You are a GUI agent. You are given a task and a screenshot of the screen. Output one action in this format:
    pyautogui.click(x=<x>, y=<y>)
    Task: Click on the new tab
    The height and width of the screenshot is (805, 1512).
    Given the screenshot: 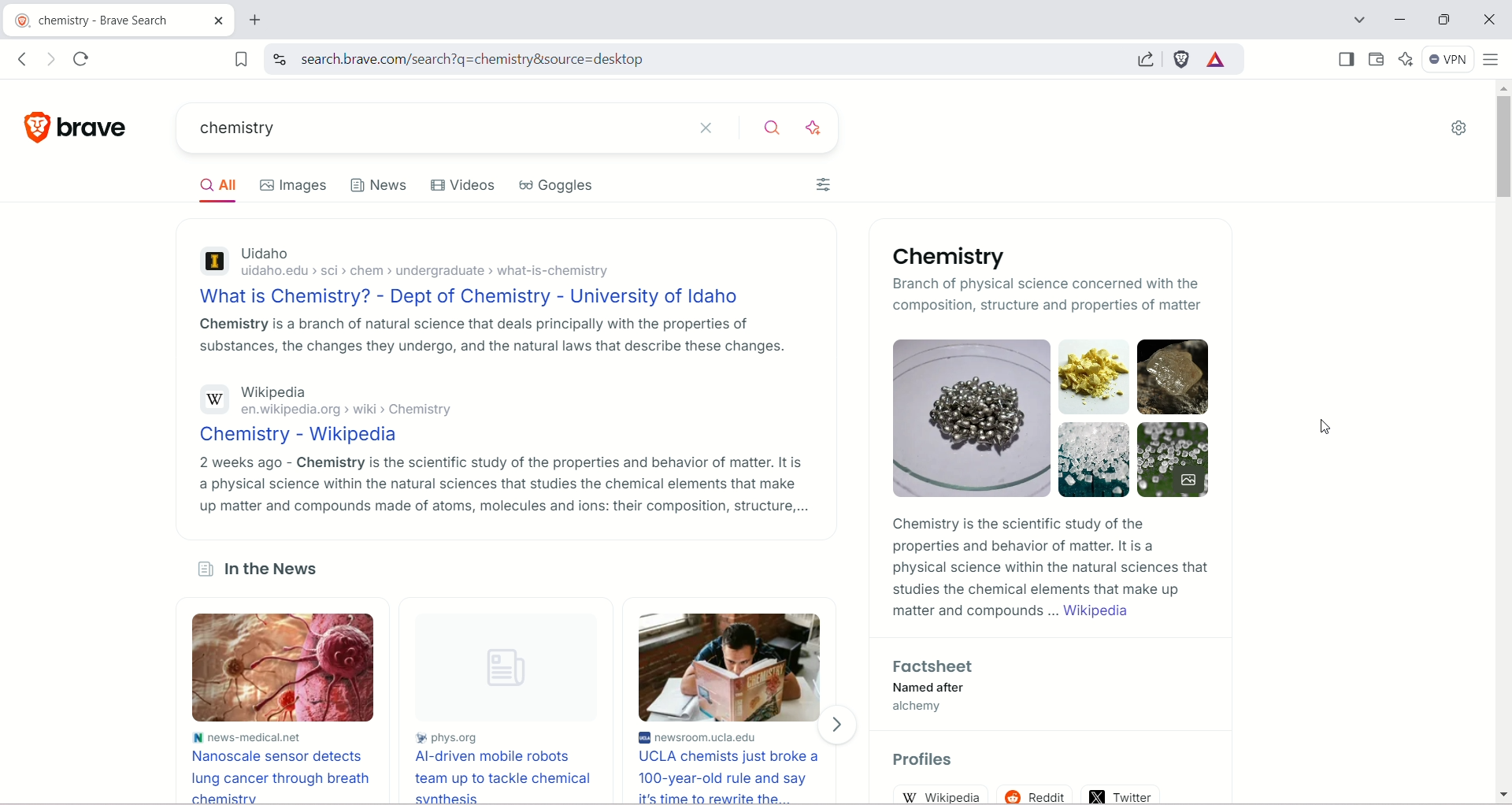 What is the action you would take?
    pyautogui.click(x=257, y=20)
    